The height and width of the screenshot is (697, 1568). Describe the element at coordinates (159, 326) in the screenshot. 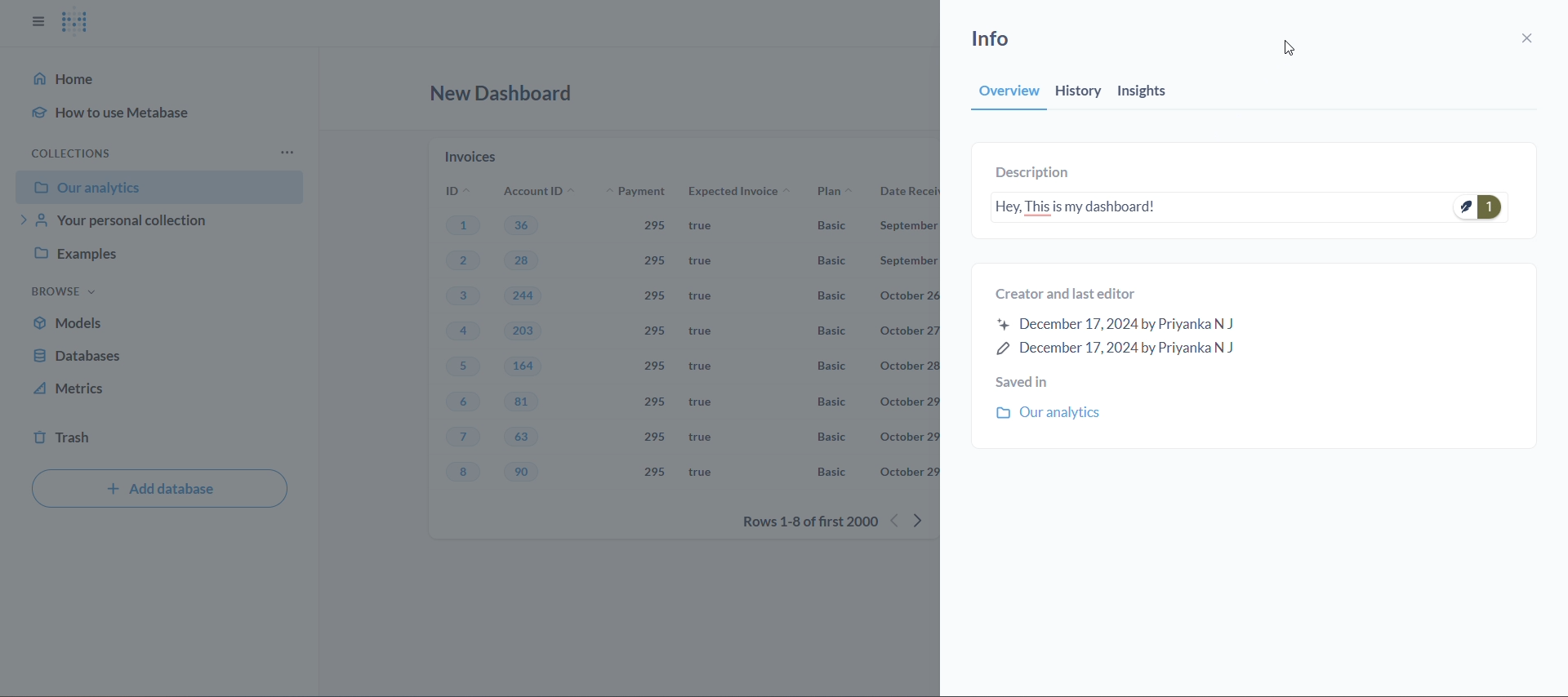

I see `models` at that location.